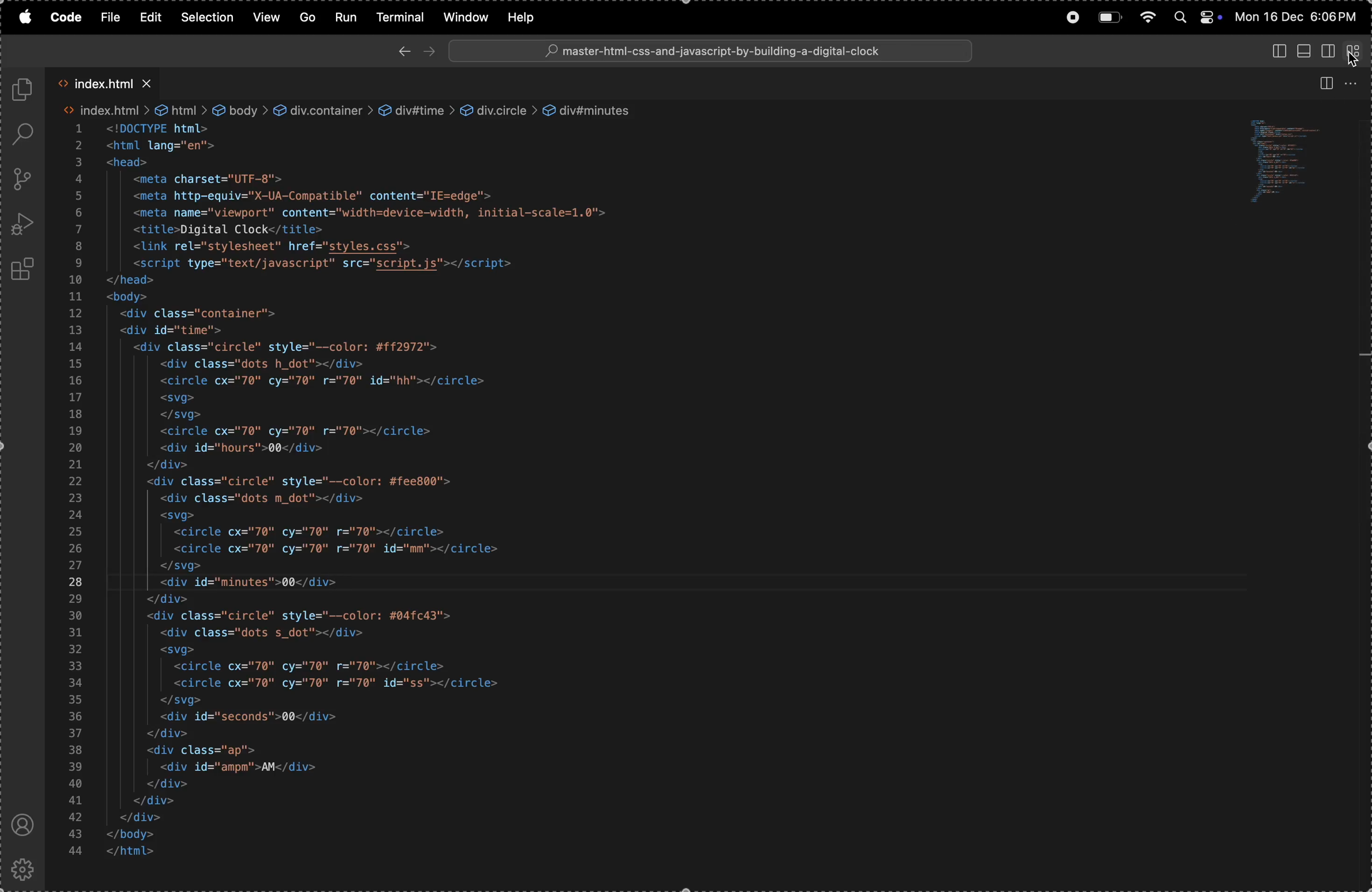  I want to click on apple menu, so click(22, 17).